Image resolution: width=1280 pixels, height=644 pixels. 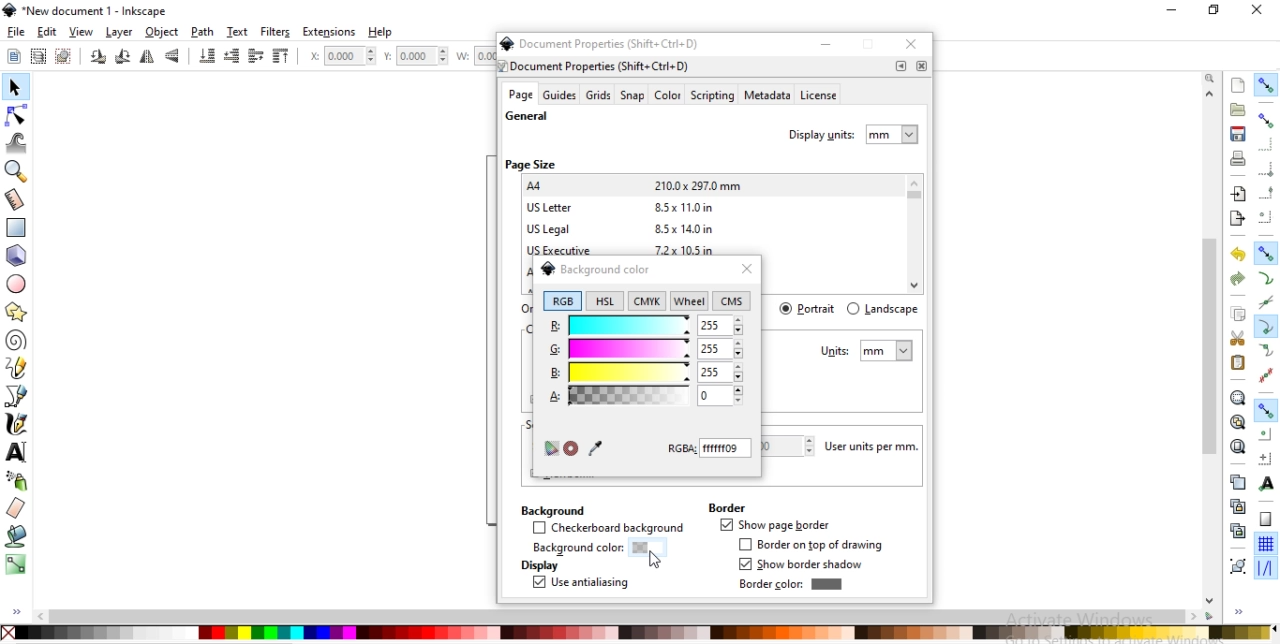 What do you see at coordinates (1237, 423) in the screenshot?
I see `zoom to fit drawing` at bounding box center [1237, 423].